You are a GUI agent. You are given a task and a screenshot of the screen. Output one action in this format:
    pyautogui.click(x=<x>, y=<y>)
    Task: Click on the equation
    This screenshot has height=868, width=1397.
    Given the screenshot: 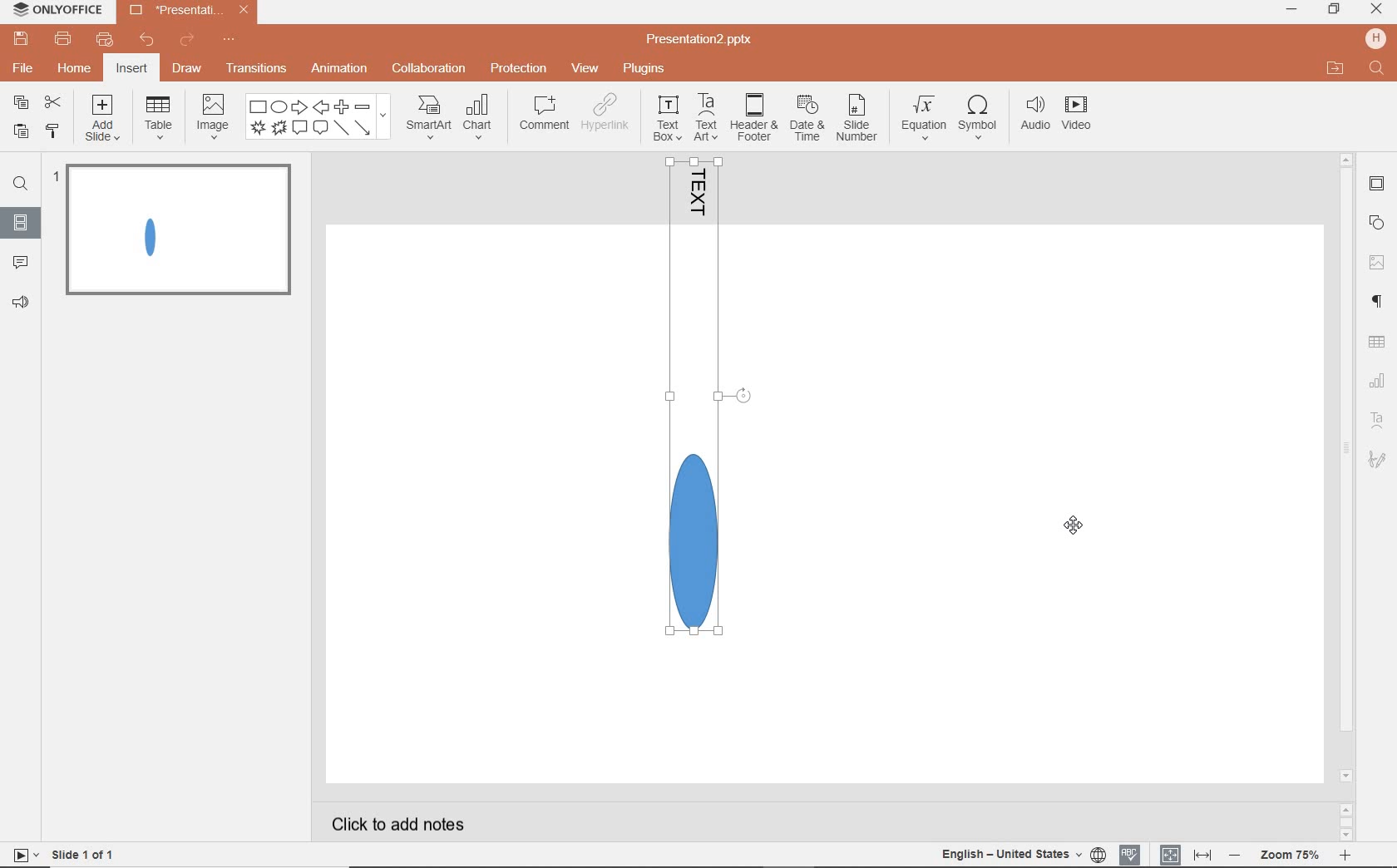 What is the action you would take?
    pyautogui.click(x=921, y=121)
    